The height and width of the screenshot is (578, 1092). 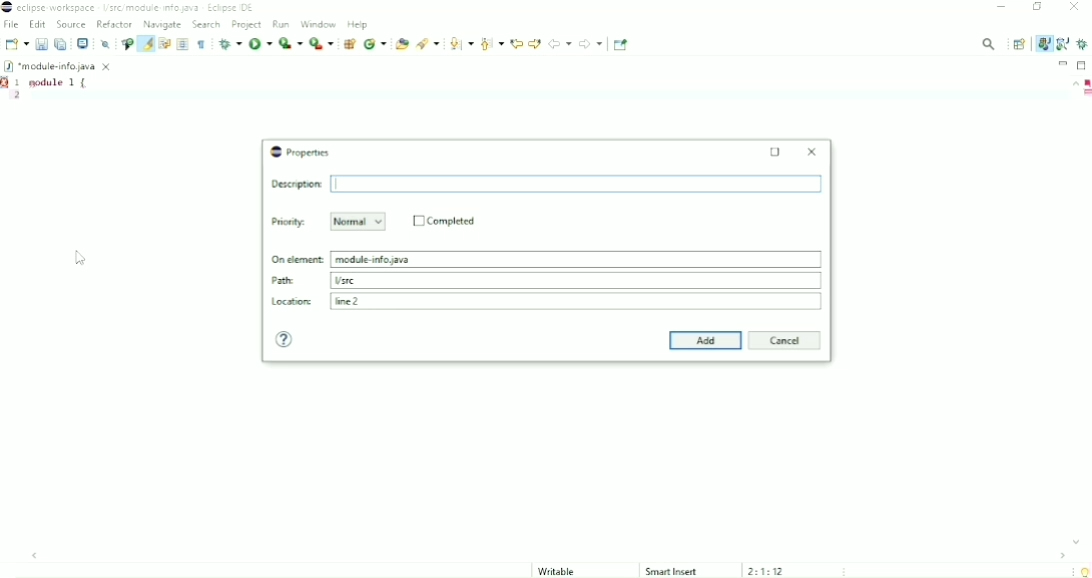 I want to click on Debug, so click(x=230, y=44).